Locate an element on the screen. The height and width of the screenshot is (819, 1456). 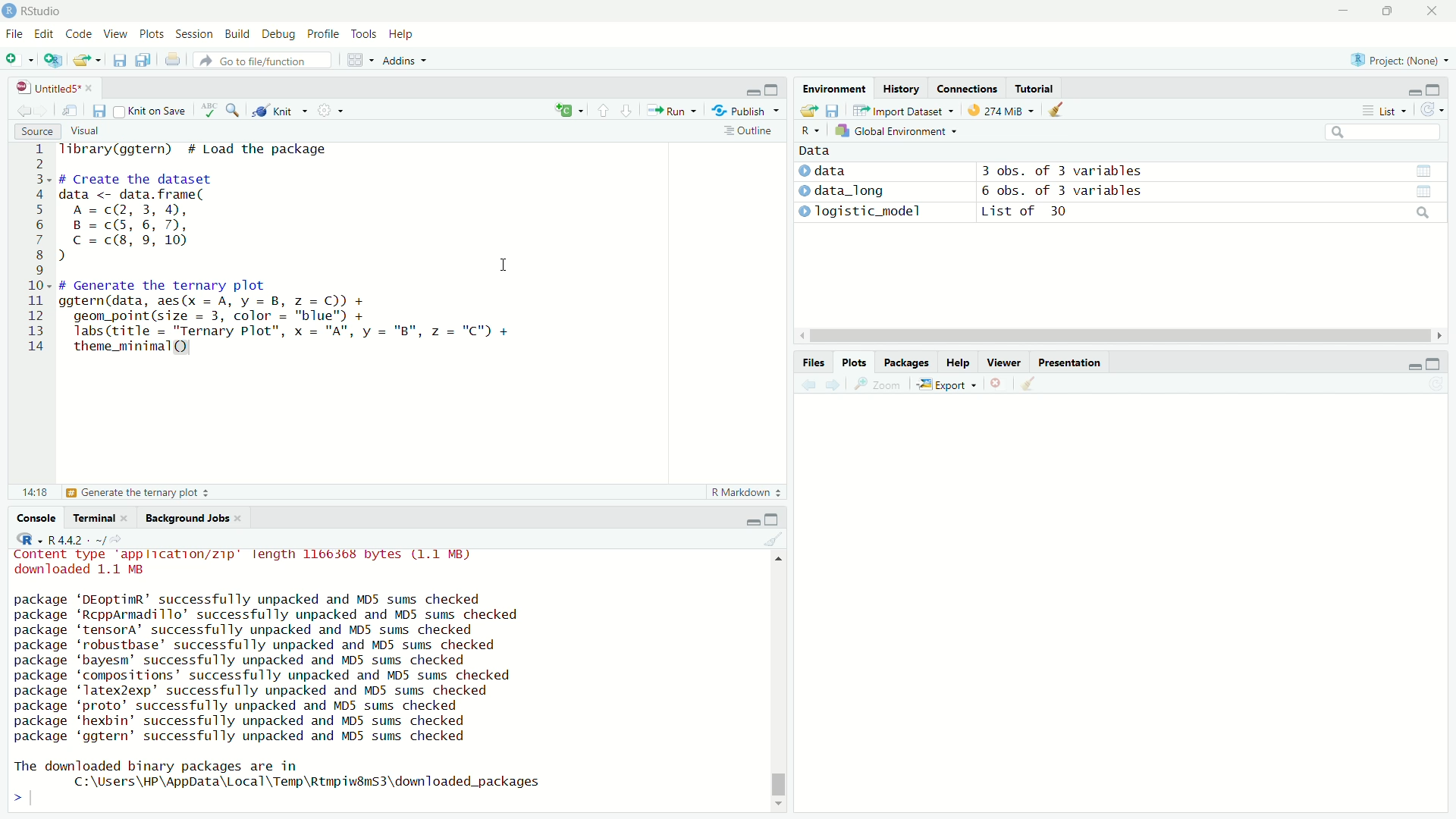
search is located at coordinates (1420, 214).